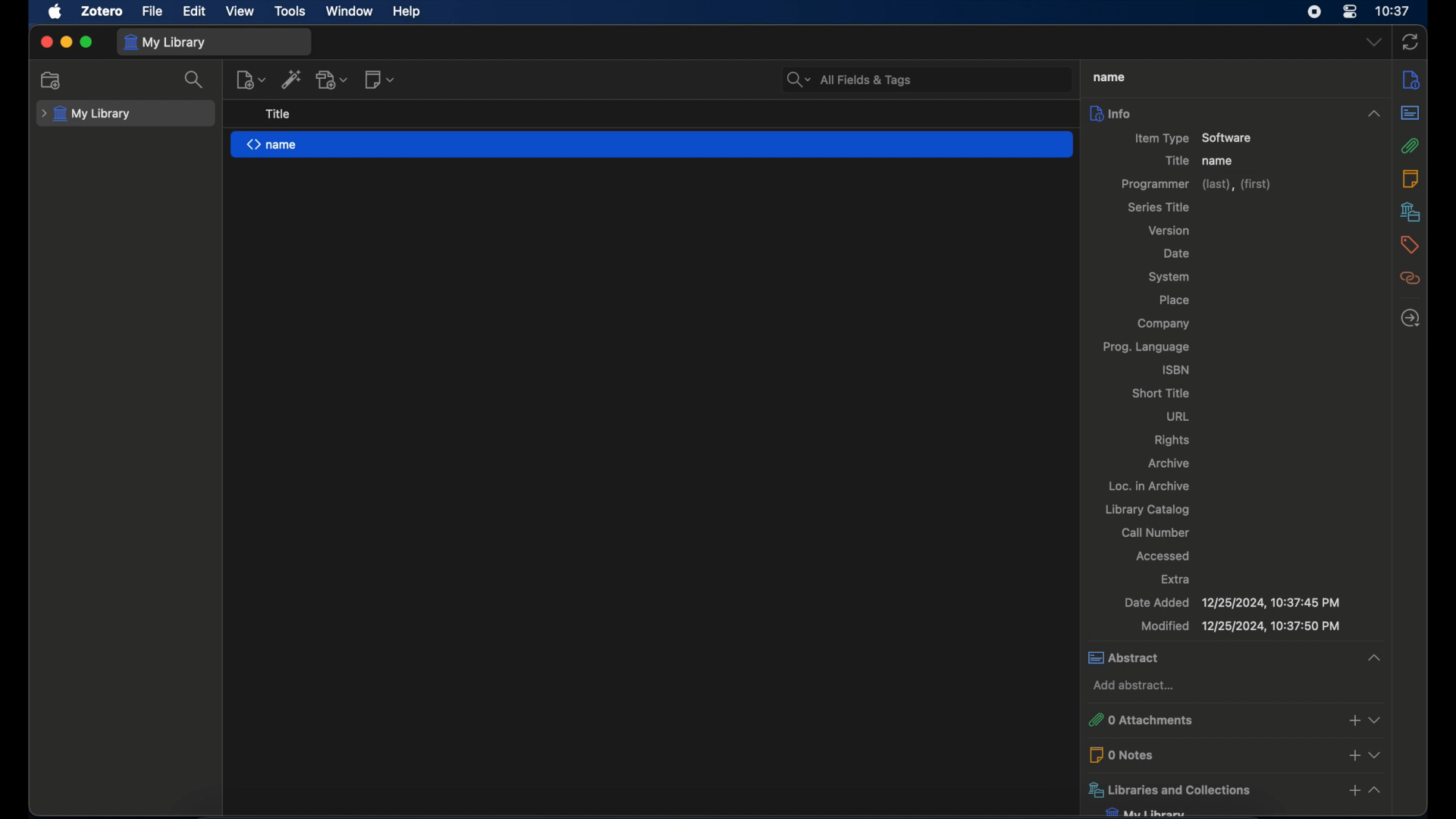 The image size is (1456, 819). I want to click on 0 notes, so click(1212, 754).